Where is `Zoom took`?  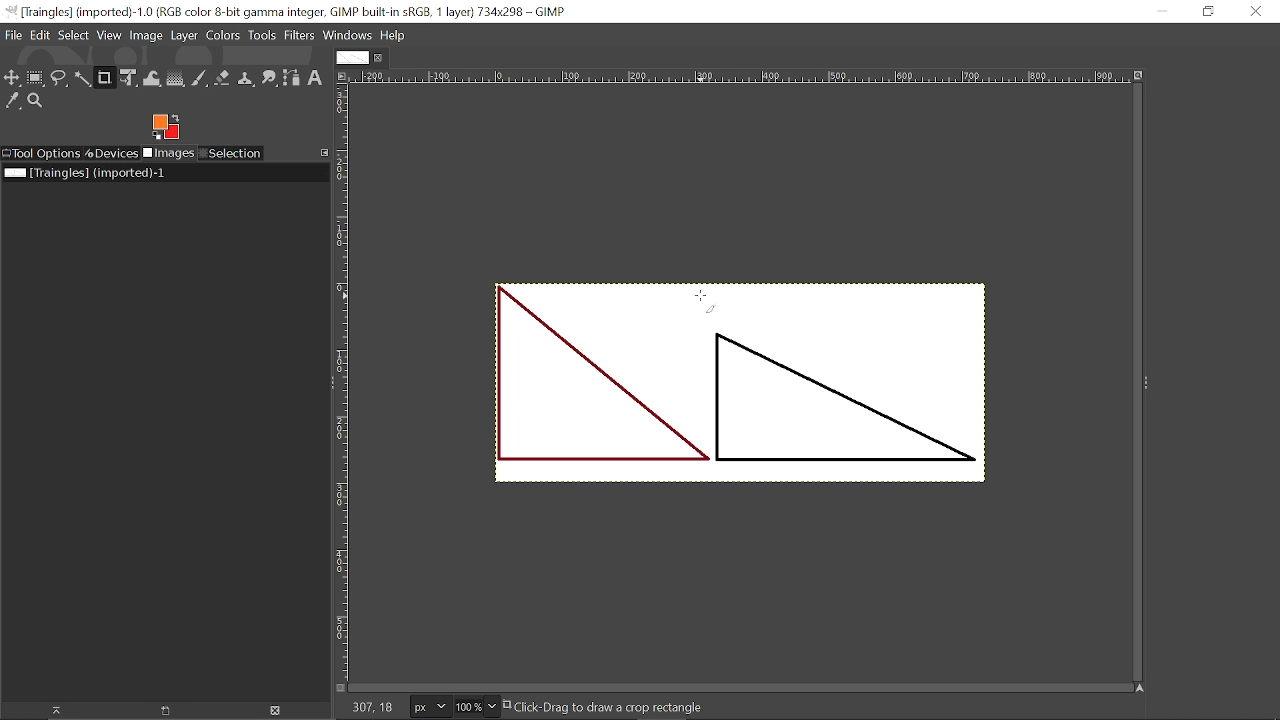 Zoom took is located at coordinates (36, 101).